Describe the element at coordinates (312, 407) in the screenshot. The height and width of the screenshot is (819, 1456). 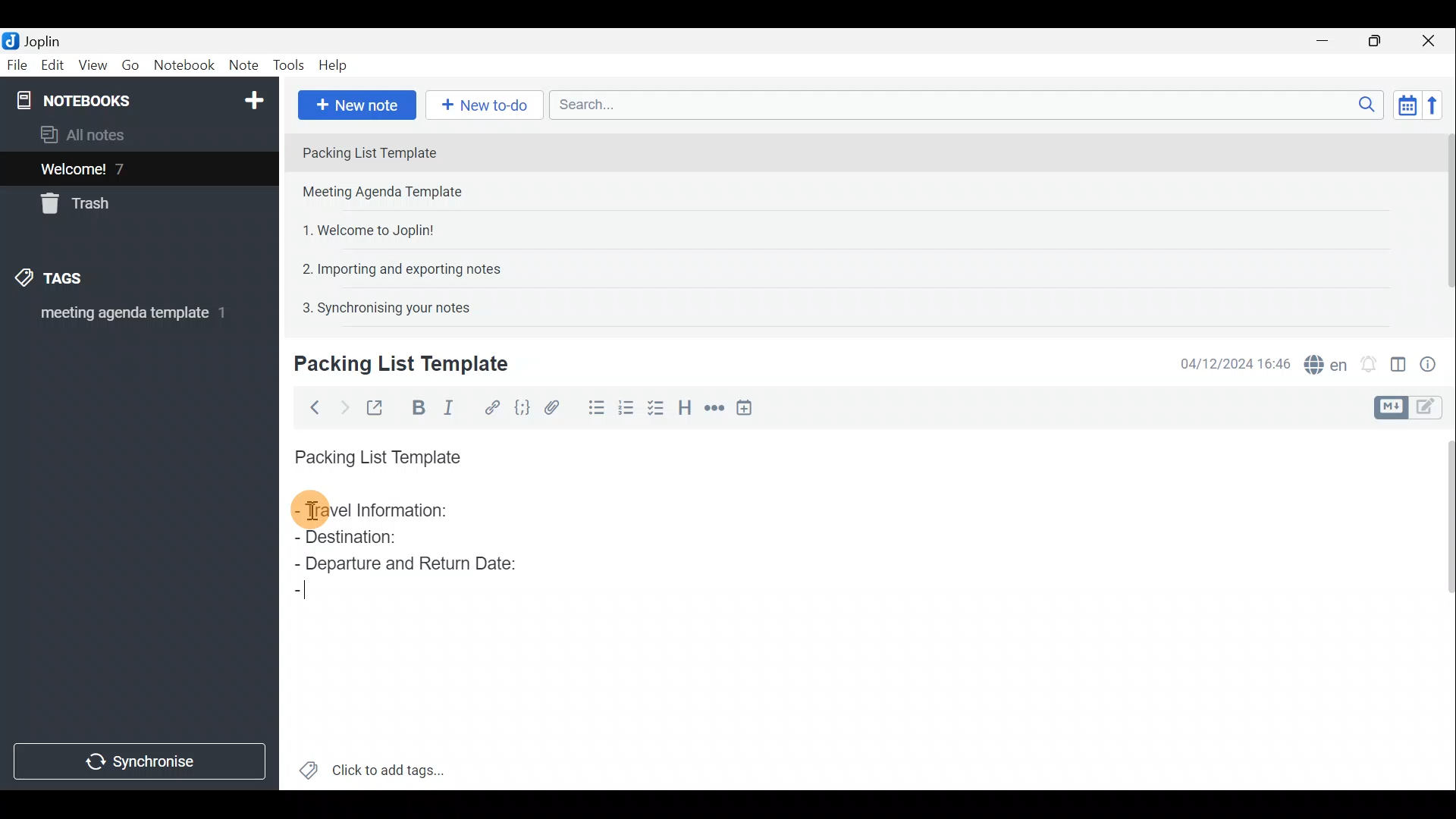
I see `Back` at that location.